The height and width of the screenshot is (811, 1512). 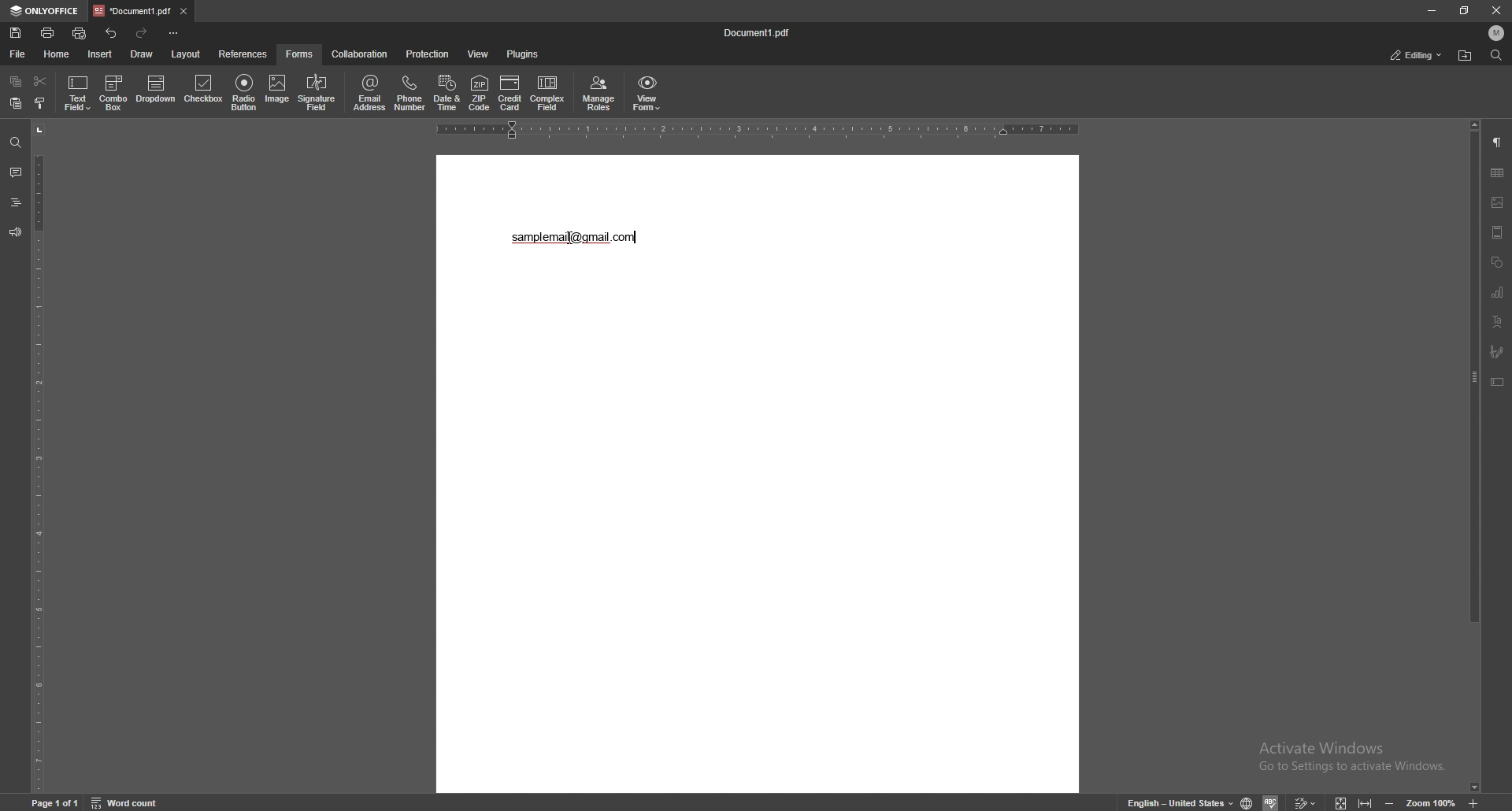 I want to click on layout, so click(x=185, y=54).